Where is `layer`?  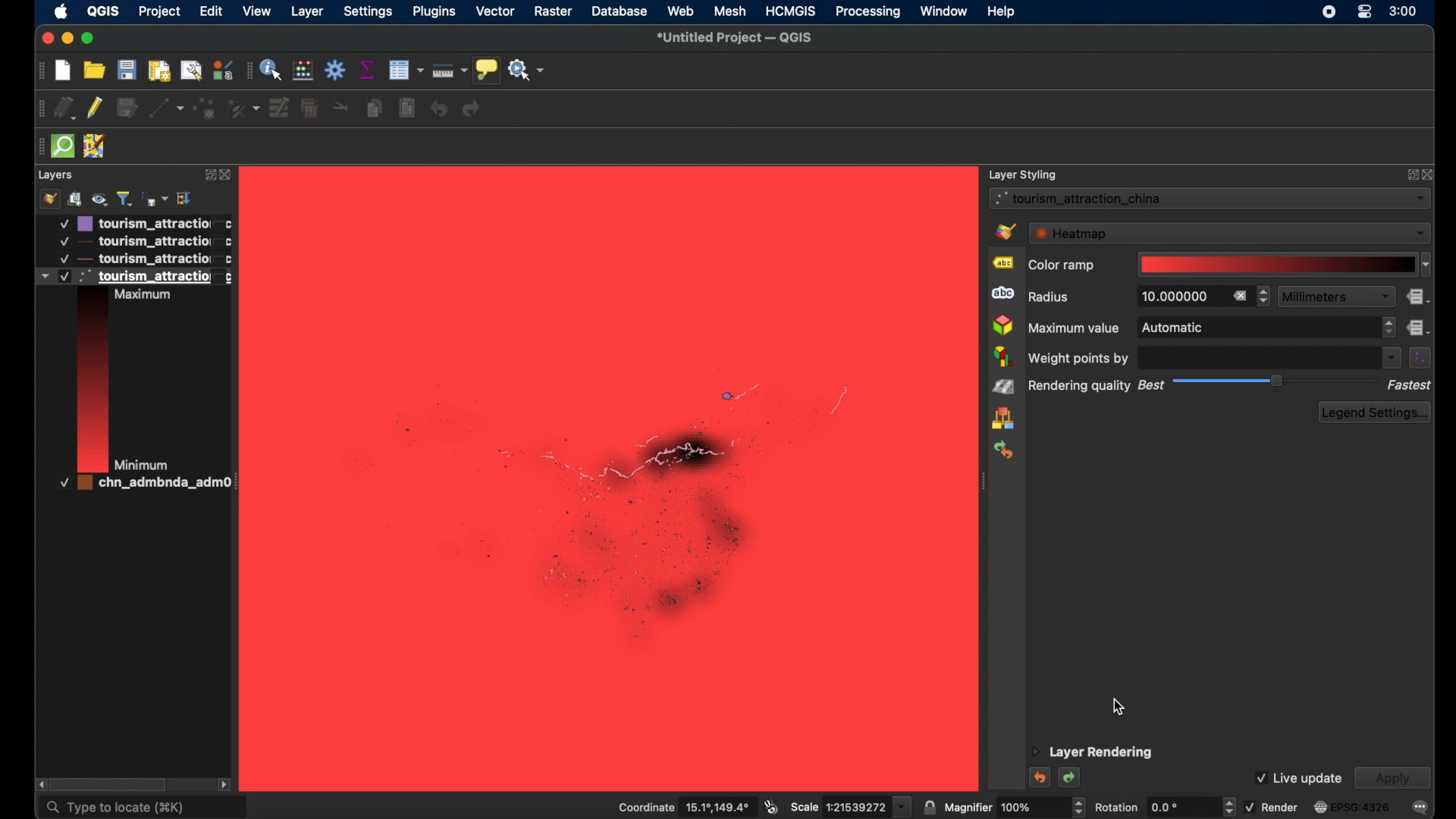
layer is located at coordinates (307, 12).